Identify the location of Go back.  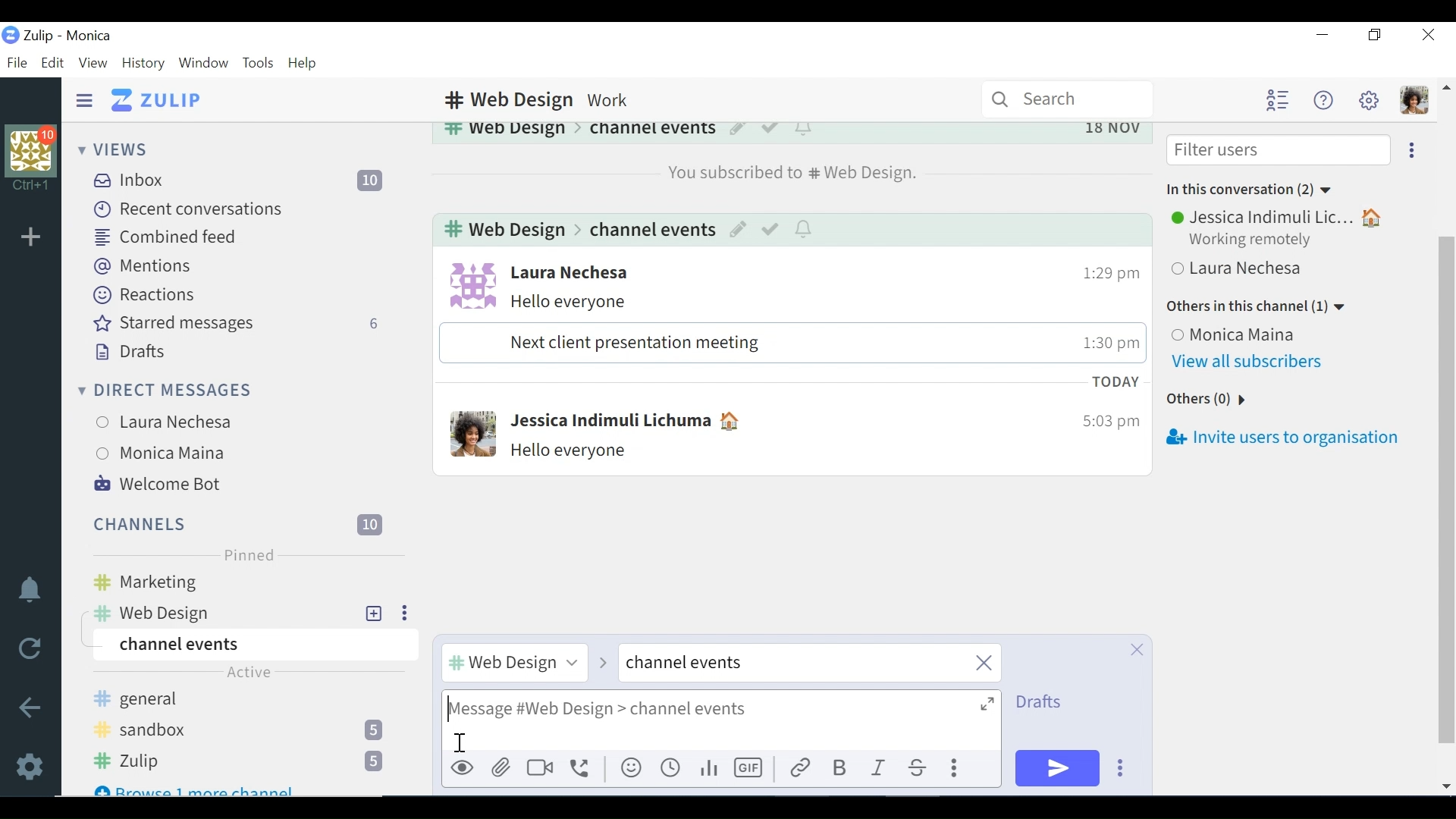
(31, 707).